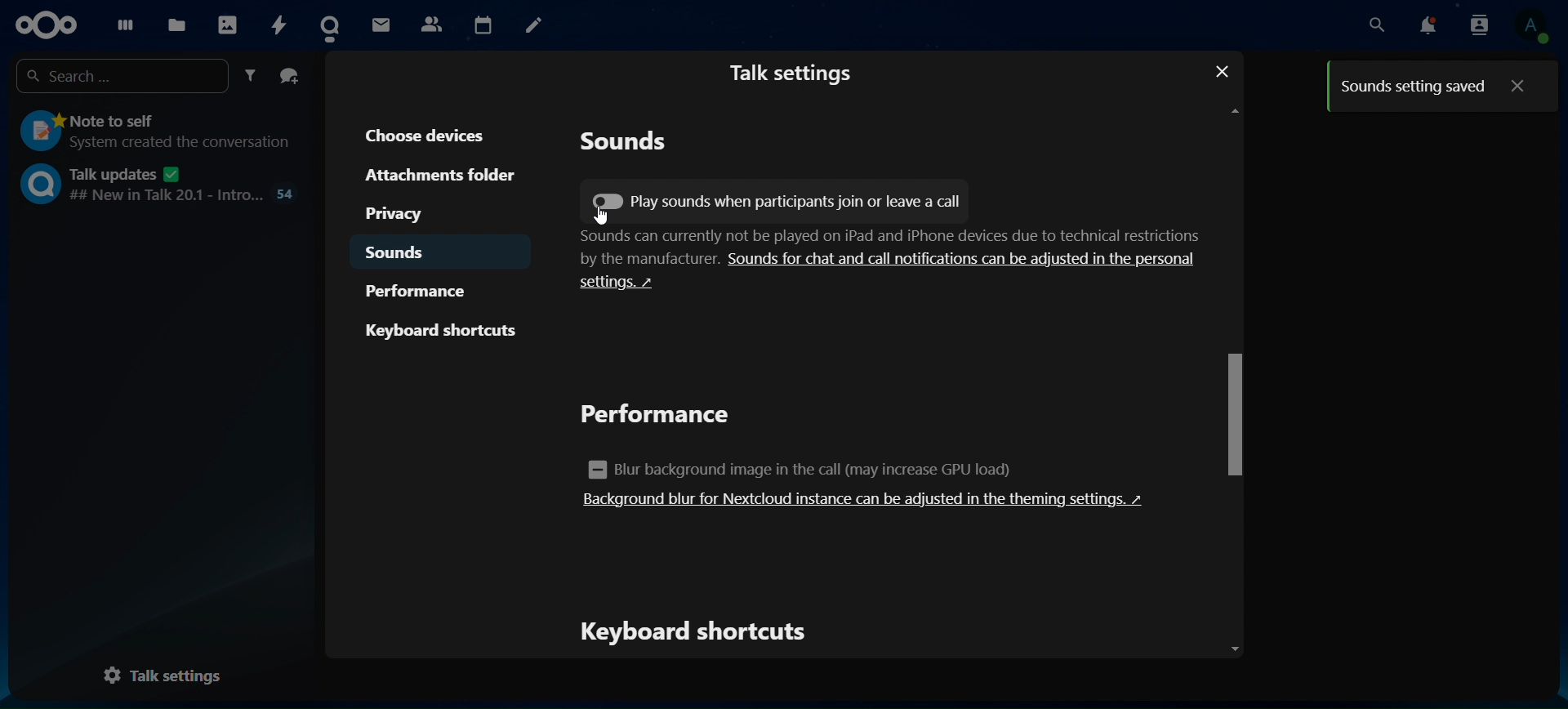  Describe the element at coordinates (773, 202) in the screenshot. I see `play sounds when participants join or leave a call` at that location.